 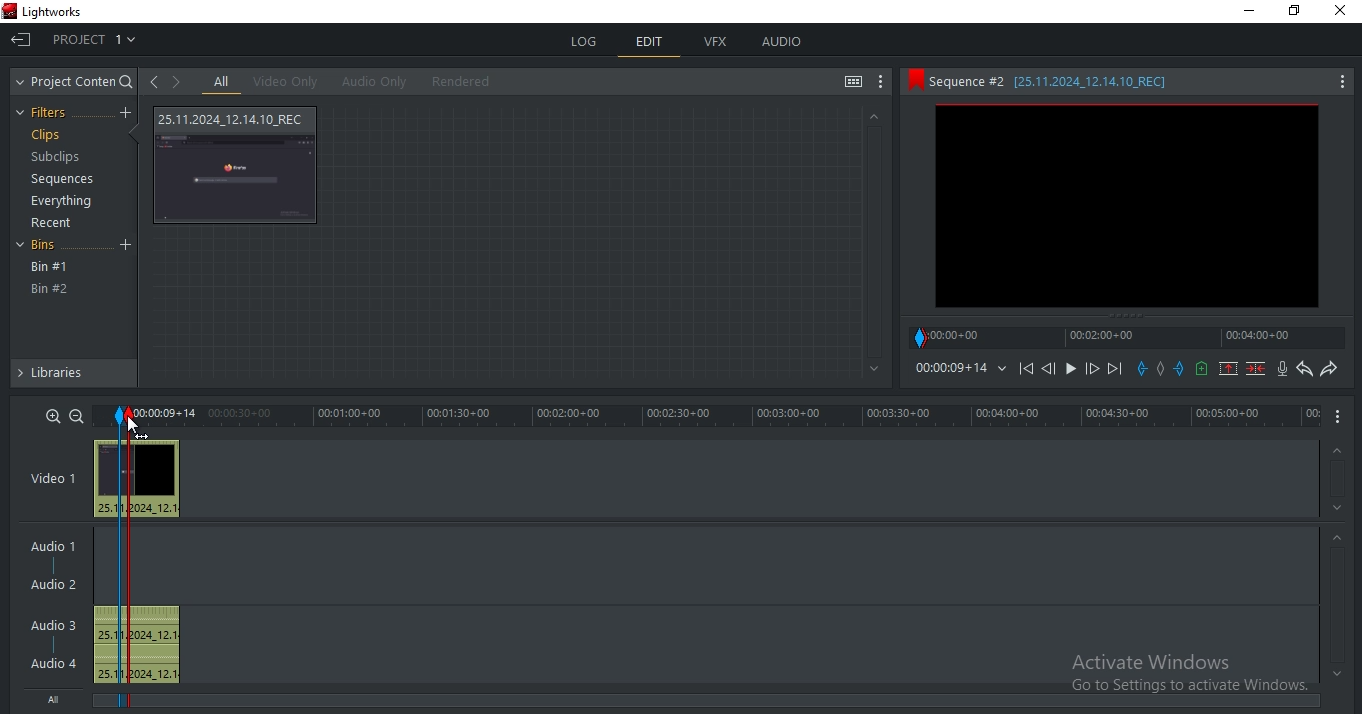 I want to click on Up, so click(x=1339, y=448).